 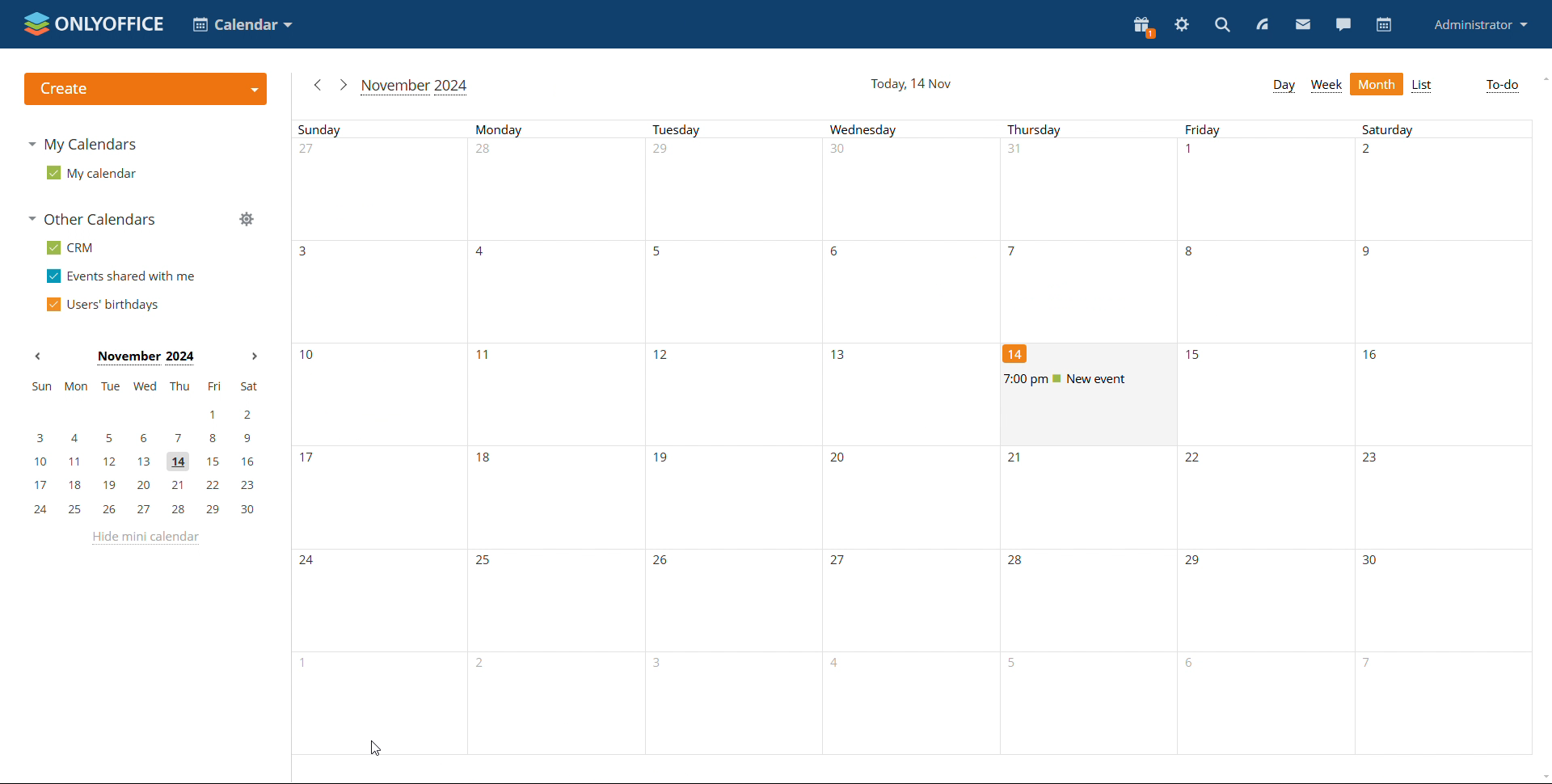 What do you see at coordinates (1019, 563) in the screenshot?
I see `number` at bounding box center [1019, 563].